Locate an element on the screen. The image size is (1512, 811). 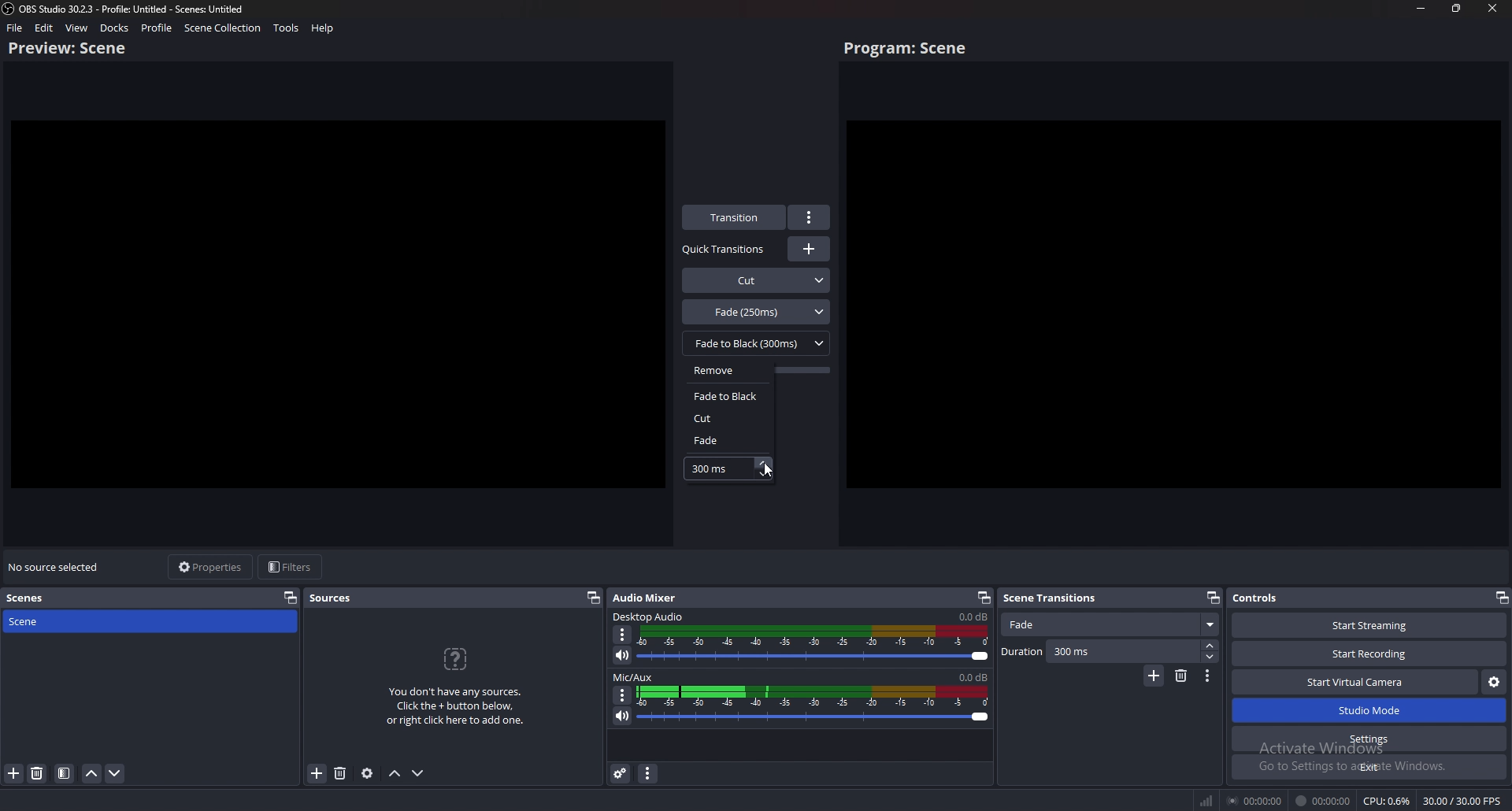
cursor is located at coordinates (769, 469).